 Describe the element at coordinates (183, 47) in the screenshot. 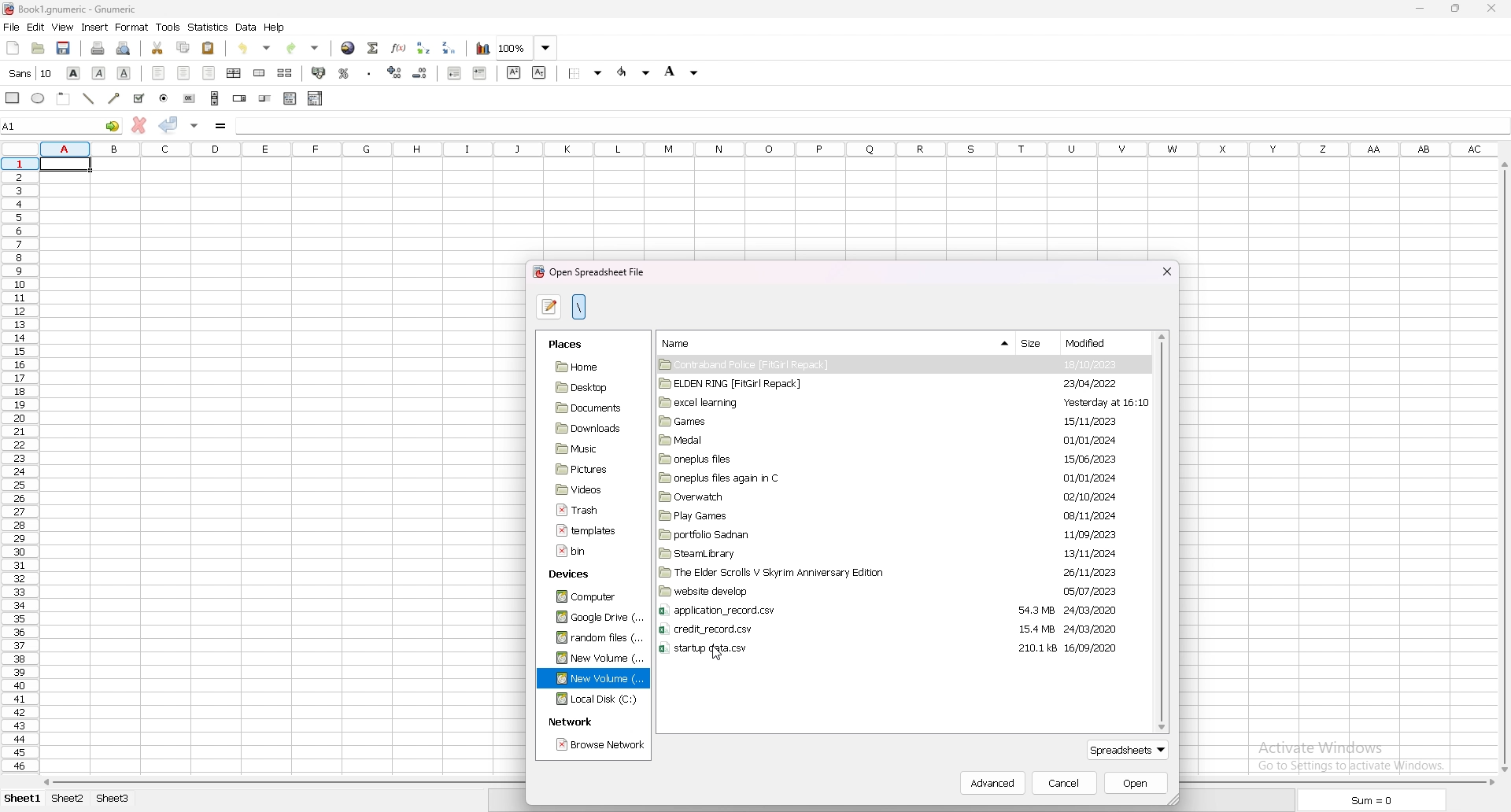

I see `copy` at that location.